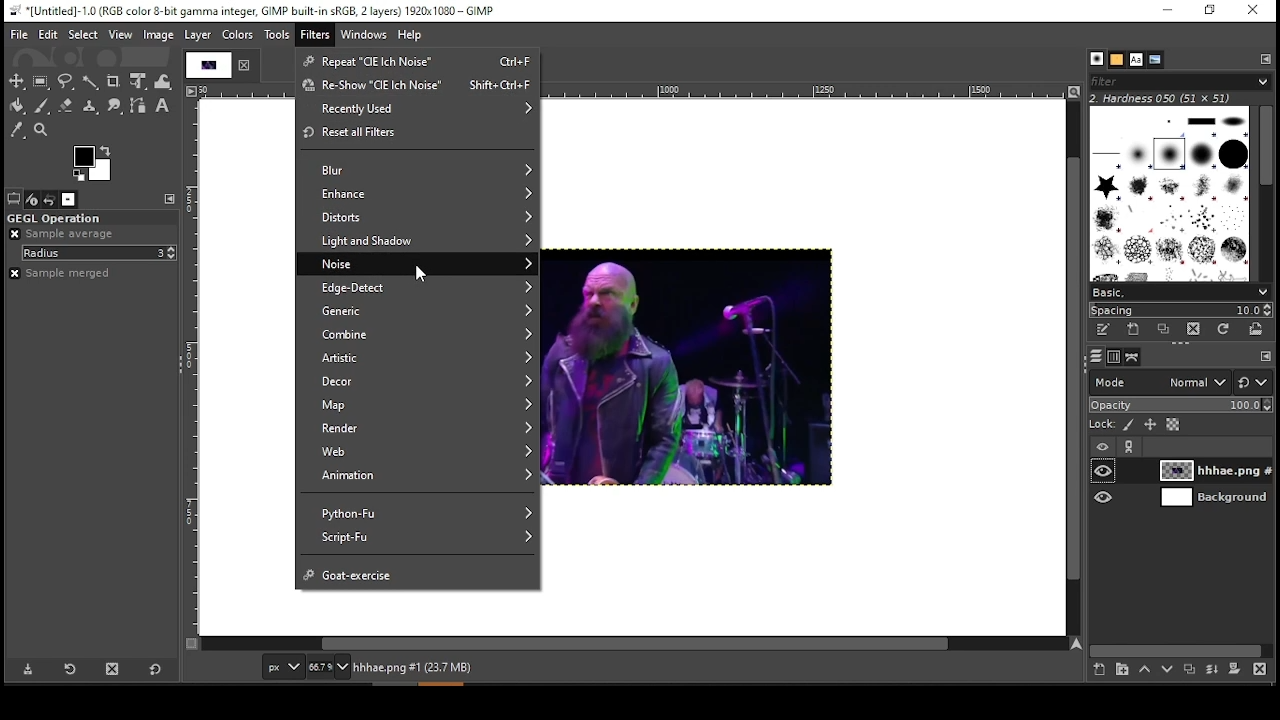 This screenshot has width=1280, height=720. Describe the element at coordinates (40, 104) in the screenshot. I see `paint brush tool` at that location.